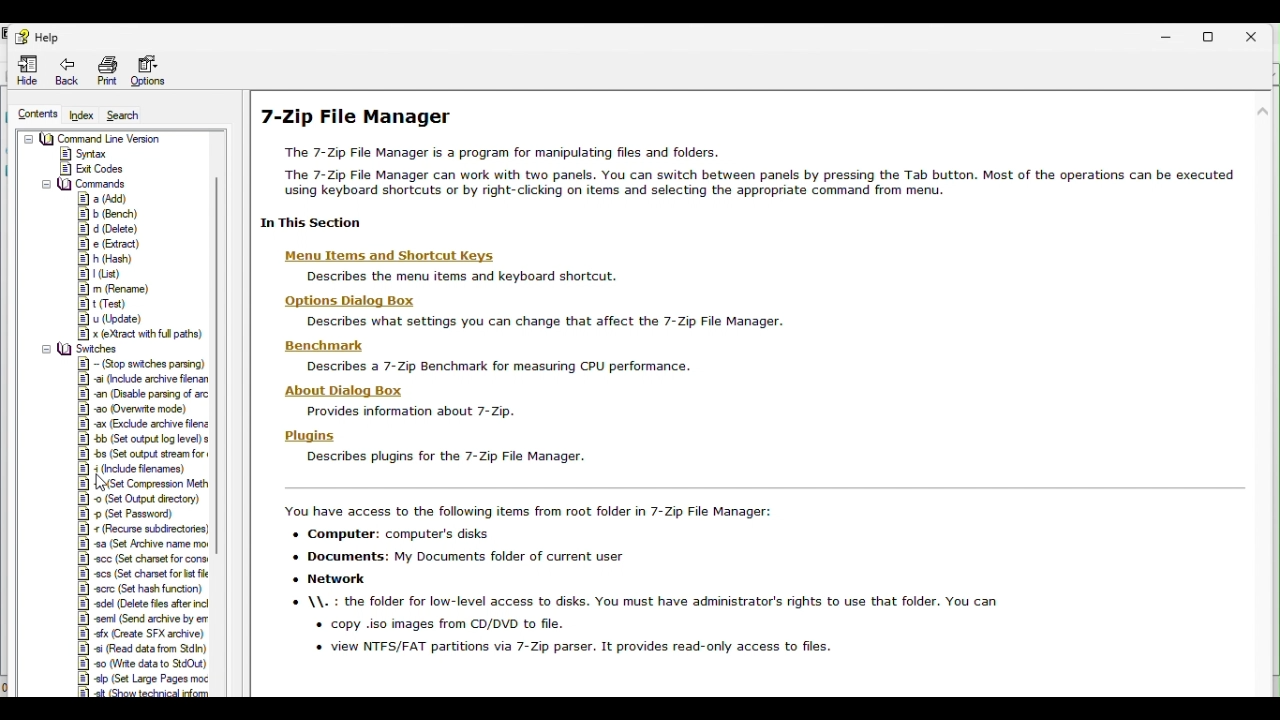 Image resolution: width=1280 pixels, height=720 pixels. What do you see at coordinates (141, 650) in the screenshot?
I see `read data from stdin` at bounding box center [141, 650].